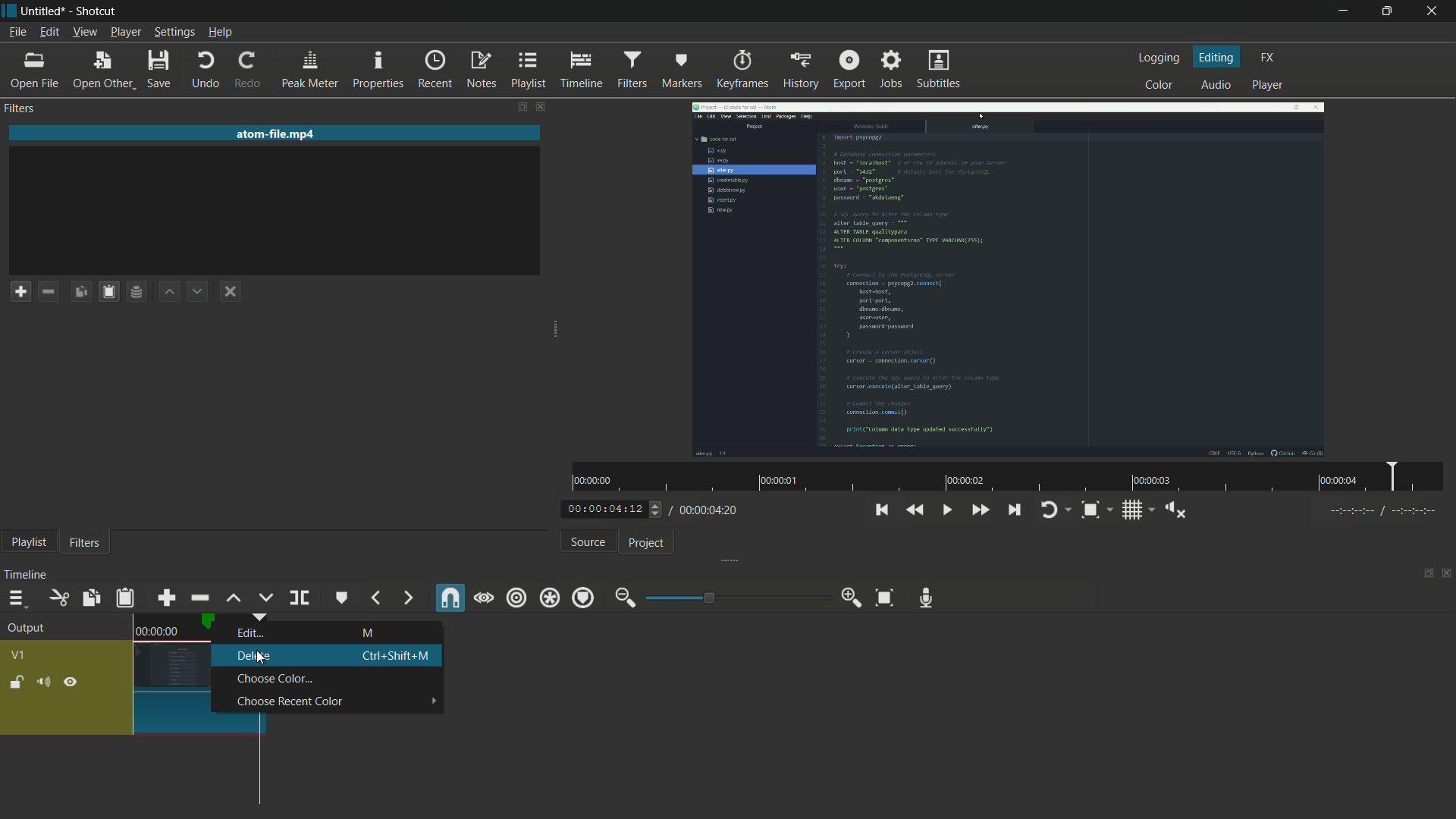  Describe the element at coordinates (526, 68) in the screenshot. I see `playlist` at that location.